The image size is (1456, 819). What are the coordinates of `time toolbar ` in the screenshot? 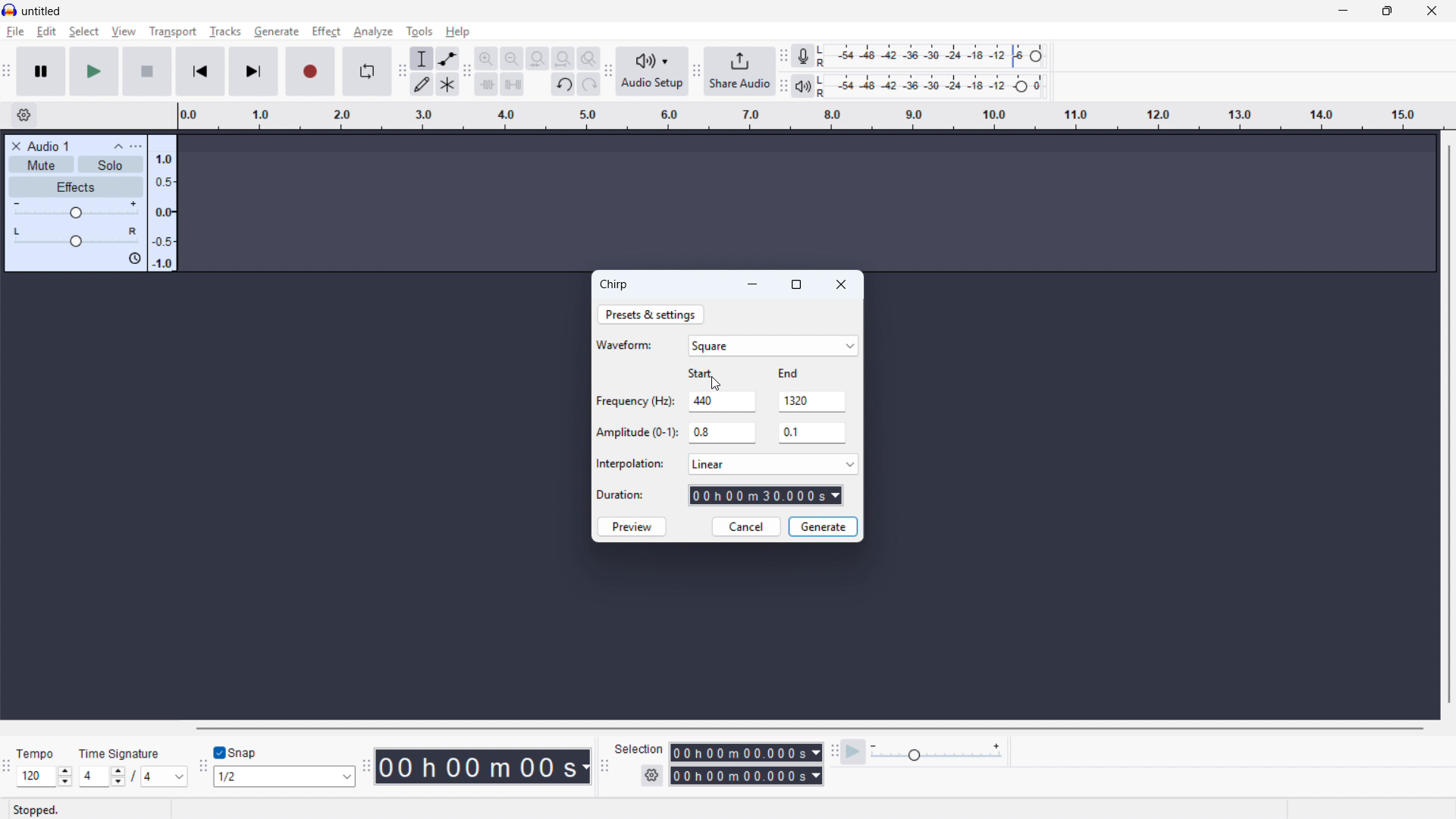 It's located at (366, 767).